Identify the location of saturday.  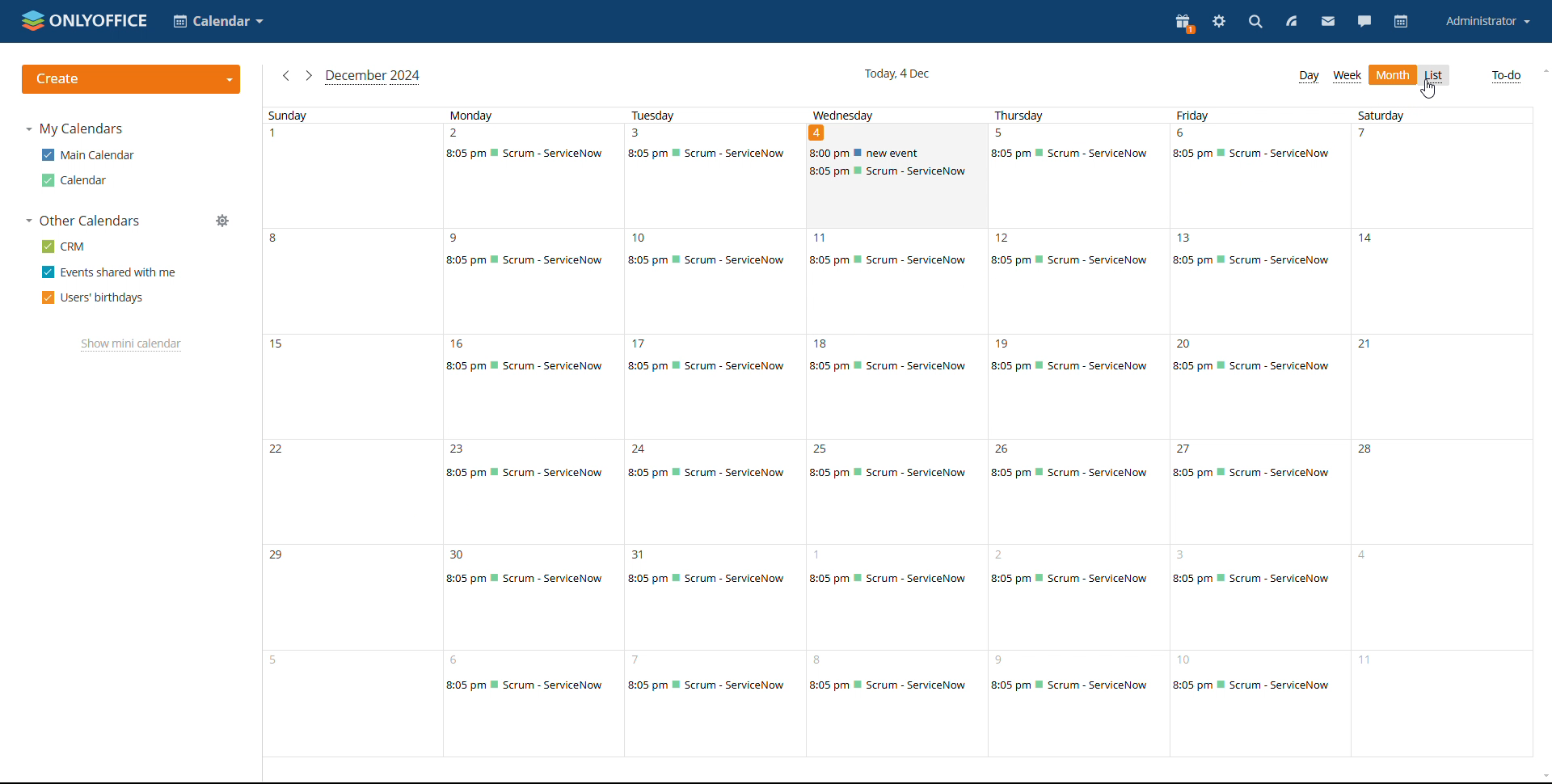
(1445, 515).